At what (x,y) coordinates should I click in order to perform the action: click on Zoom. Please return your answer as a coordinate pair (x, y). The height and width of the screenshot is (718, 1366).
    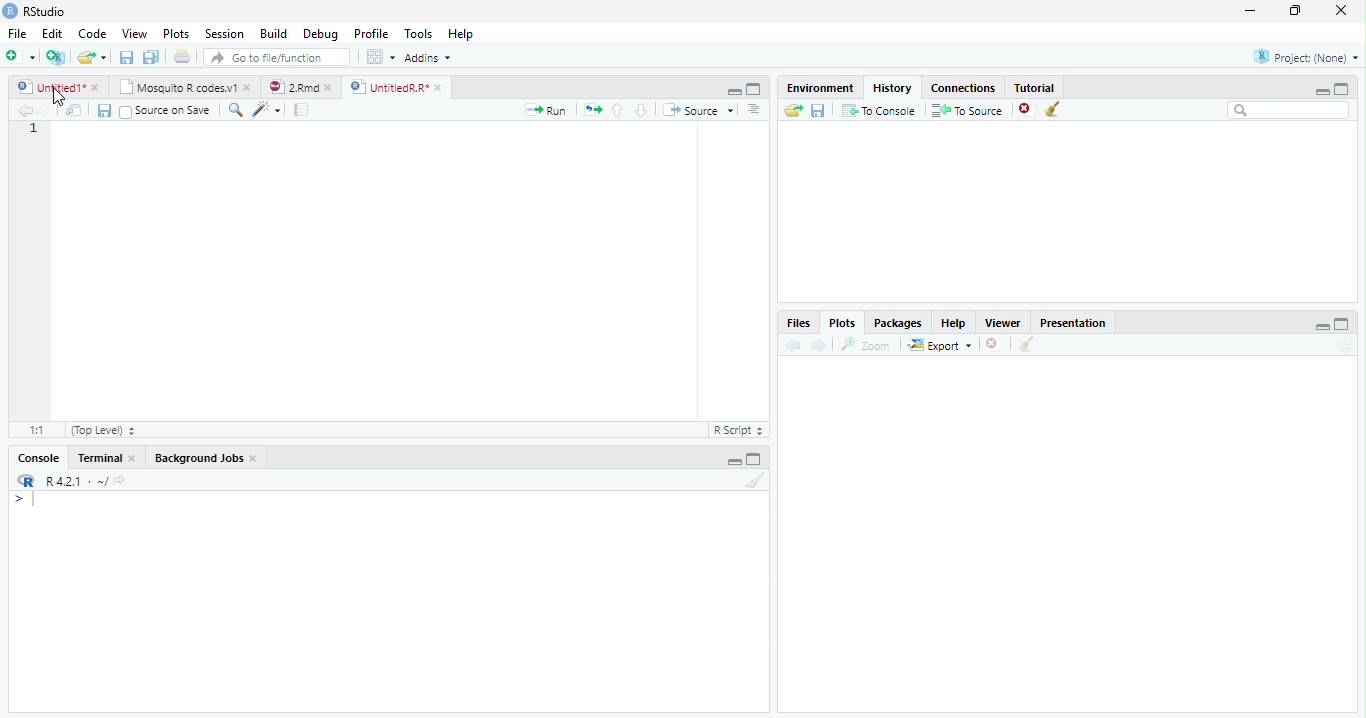
    Looking at the image, I should click on (867, 345).